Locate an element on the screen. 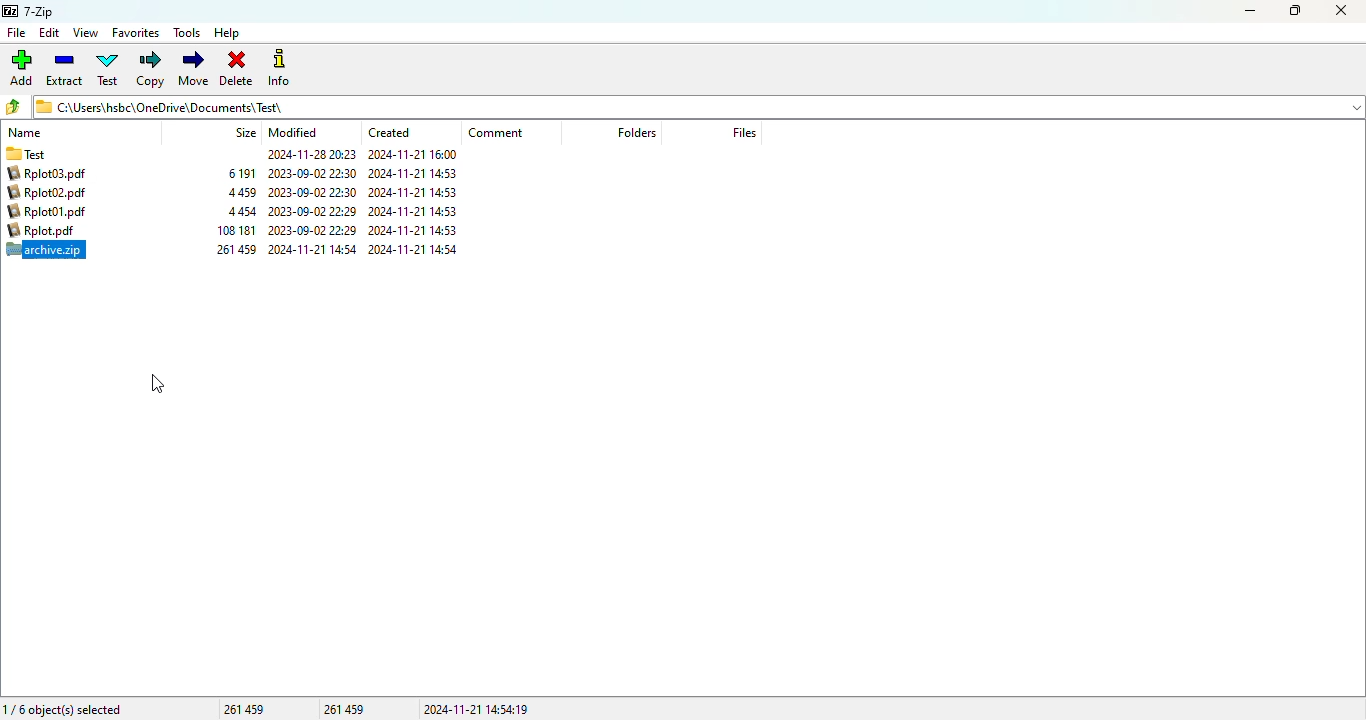  106 181 is located at coordinates (238, 250).